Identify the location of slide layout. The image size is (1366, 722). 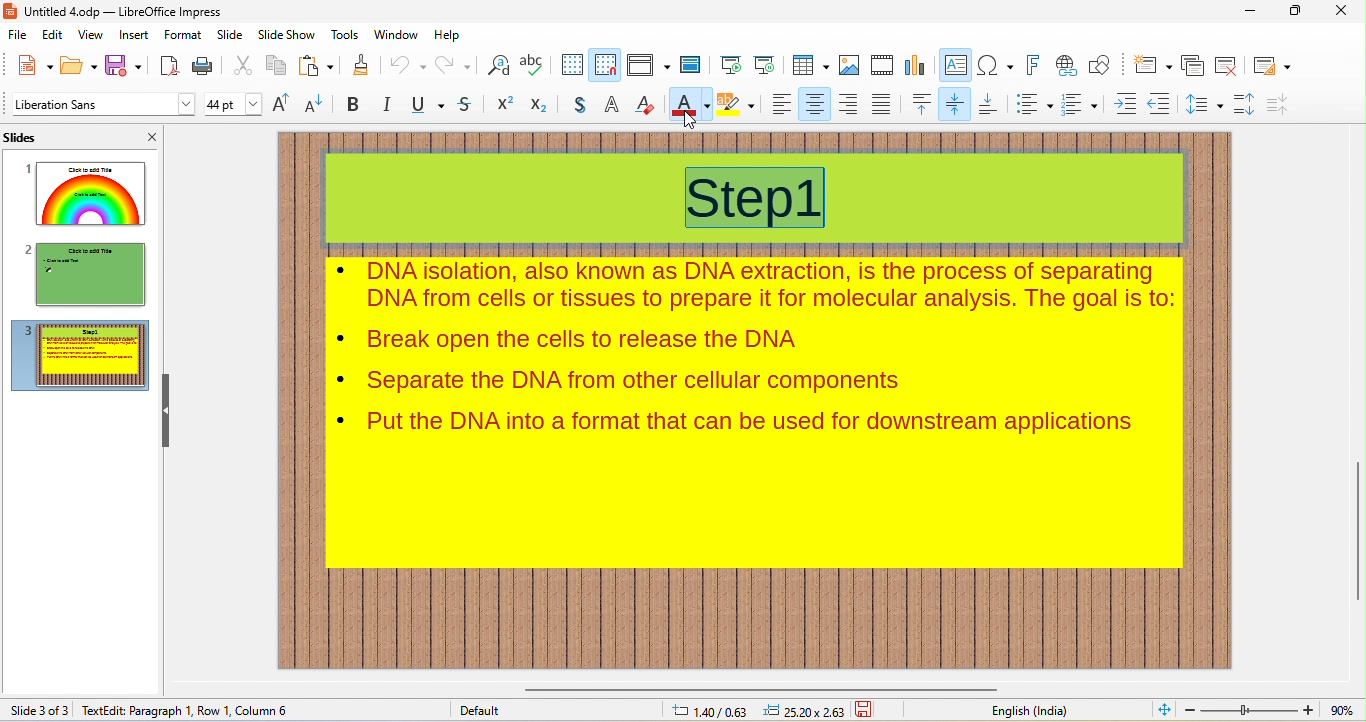
(1272, 66).